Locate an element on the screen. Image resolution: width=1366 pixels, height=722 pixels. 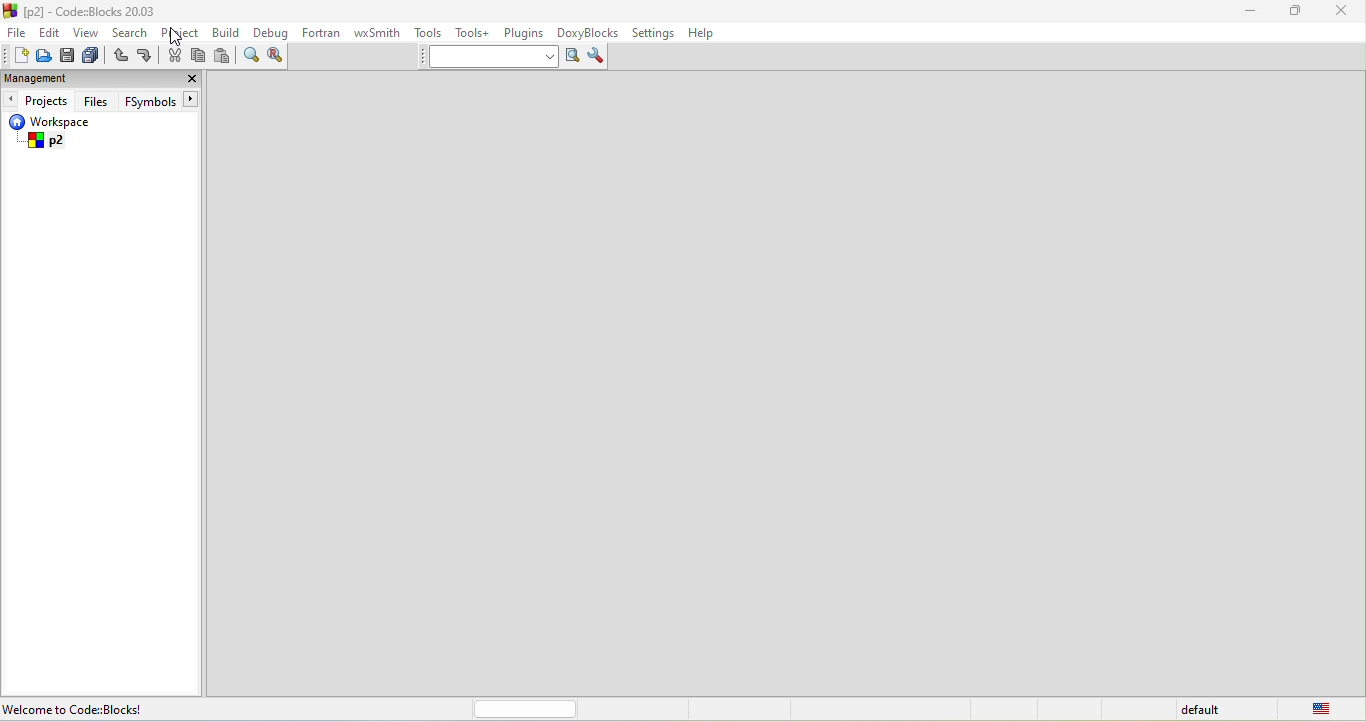
find is located at coordinates (252, 58).